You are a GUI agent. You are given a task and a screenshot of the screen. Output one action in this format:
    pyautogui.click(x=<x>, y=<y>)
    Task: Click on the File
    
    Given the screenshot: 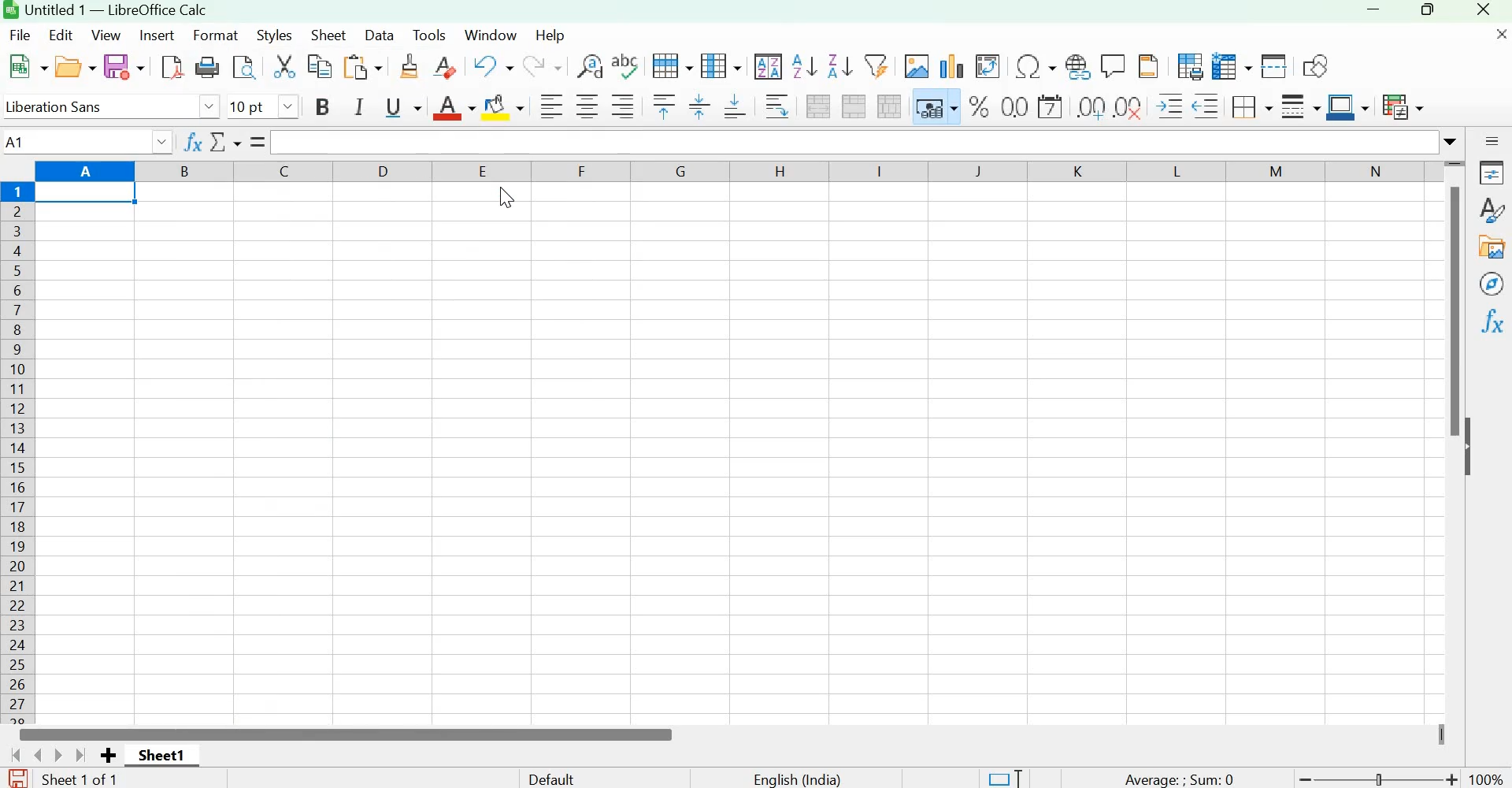 What is the action you would take?
    pyautogui.click(x=22, y=34)
    